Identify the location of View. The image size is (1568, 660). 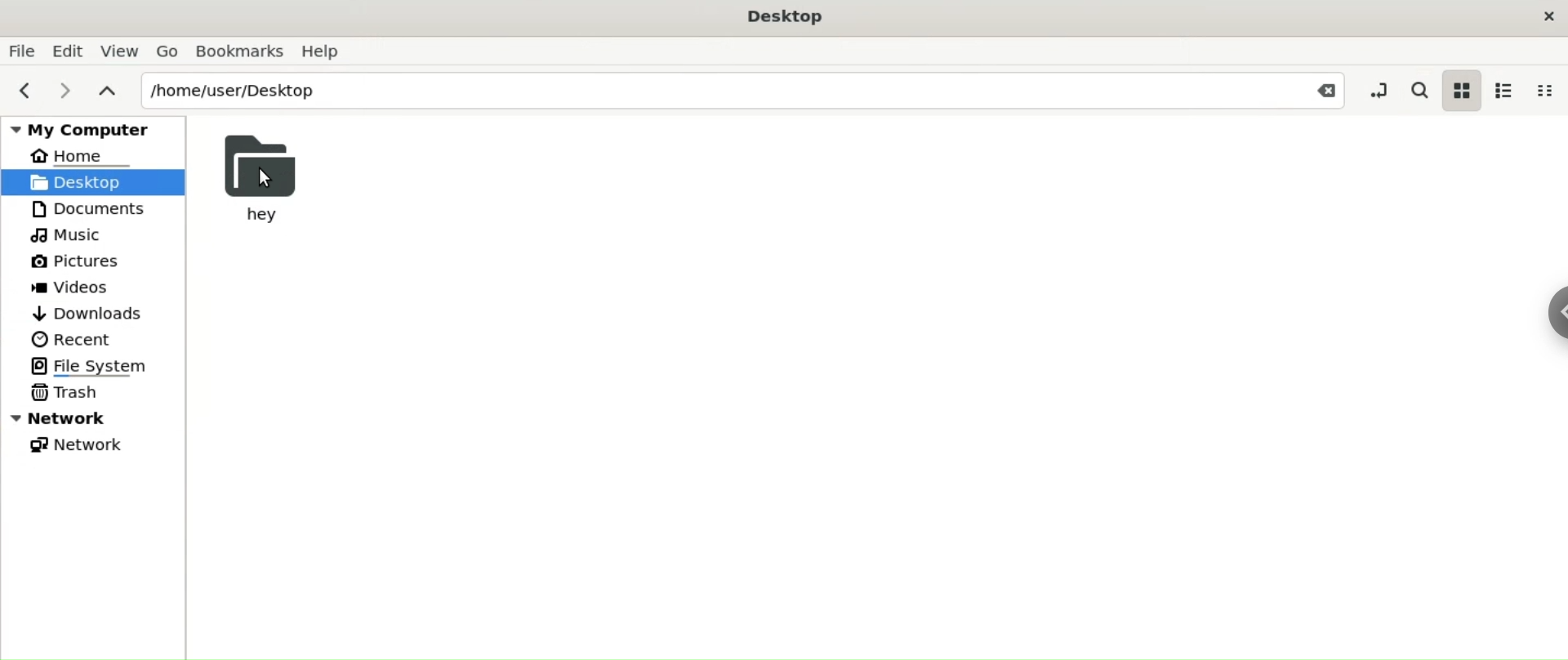
(119, 51).